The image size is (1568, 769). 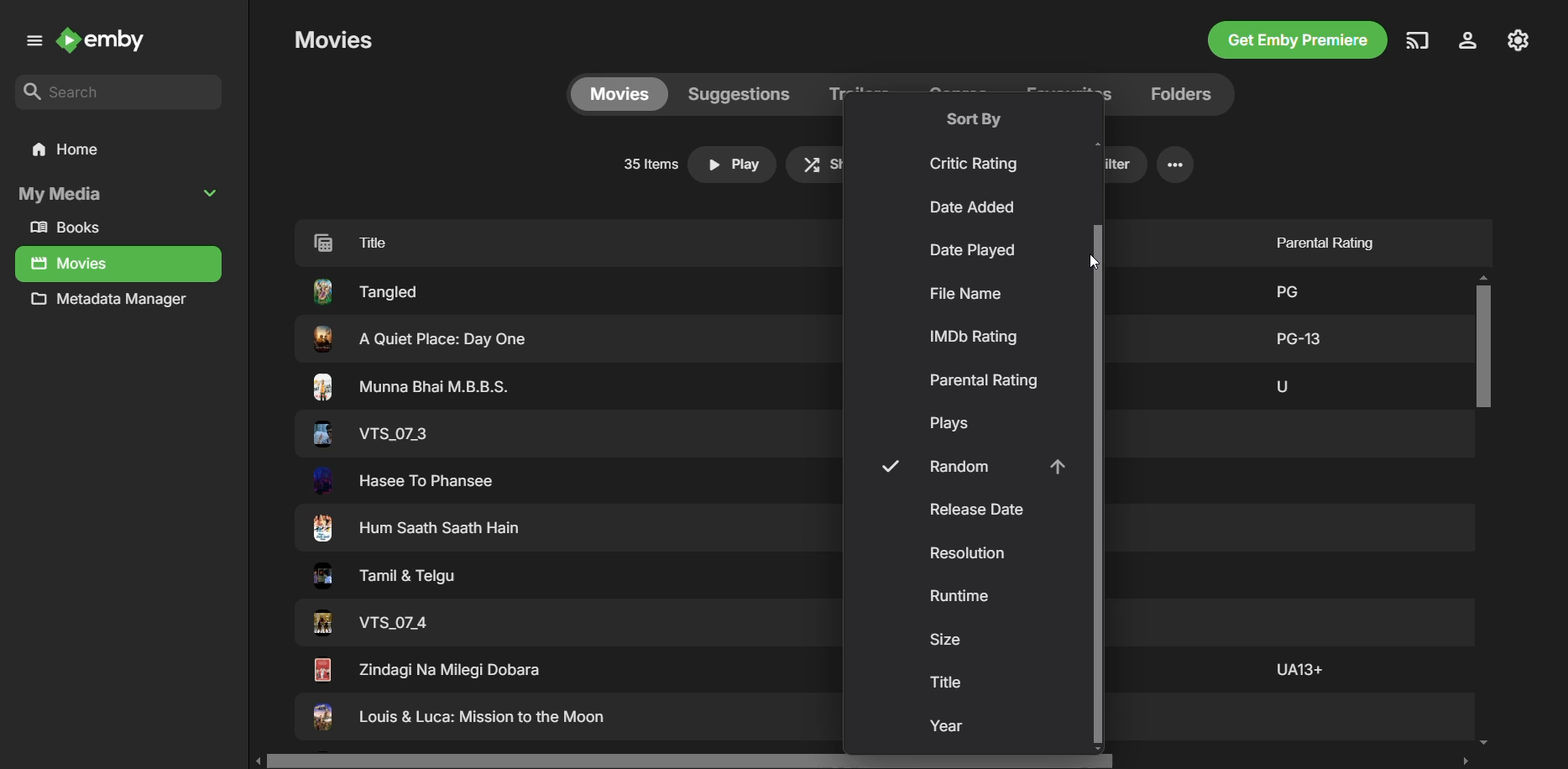 I want to click on Shiffle, so click(x=838, y=164).